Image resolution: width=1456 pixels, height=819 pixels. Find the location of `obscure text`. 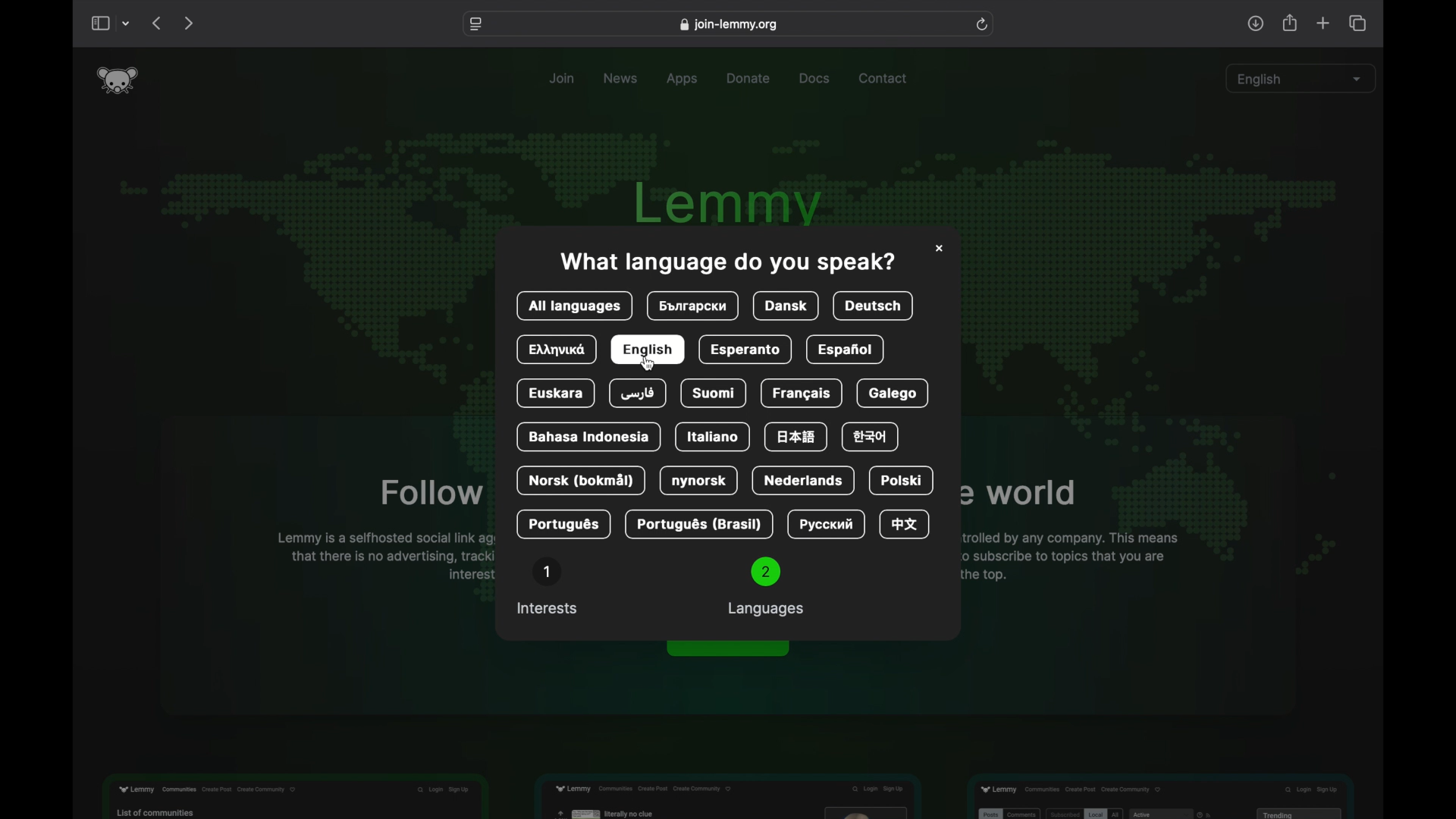

obscure text is located at coordinates (1018, 494).